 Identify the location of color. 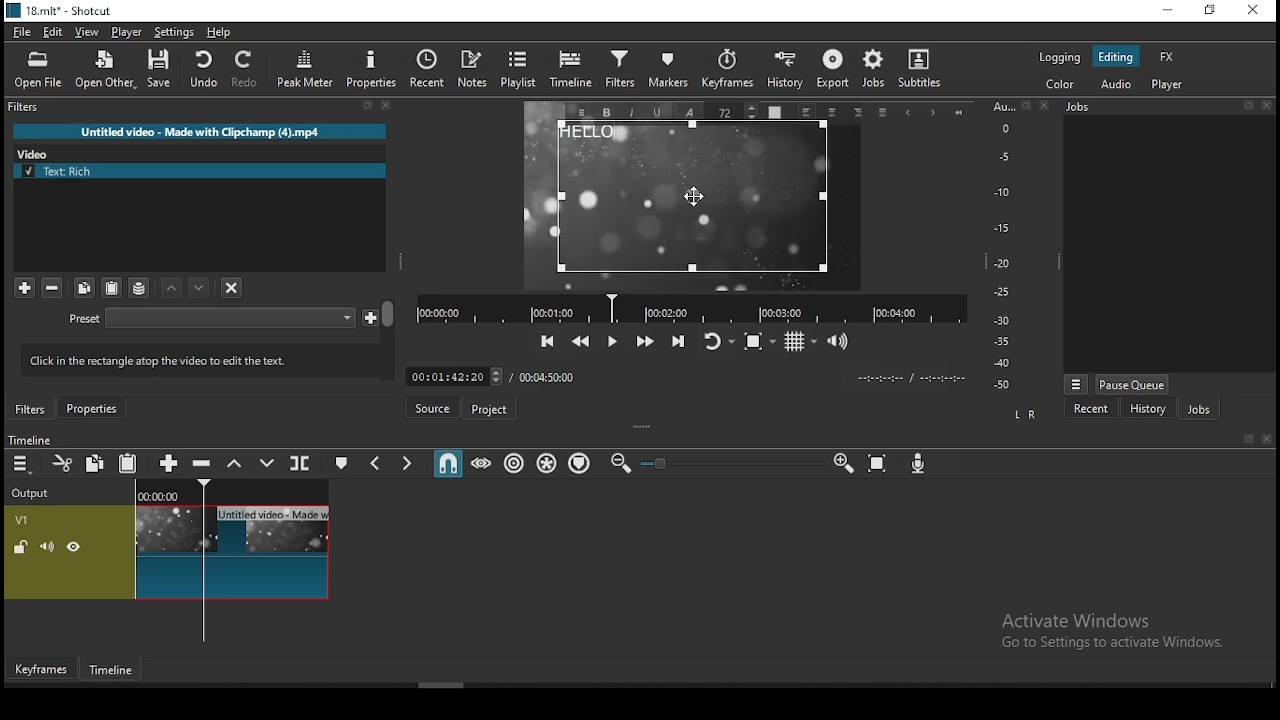
(1059, 86).